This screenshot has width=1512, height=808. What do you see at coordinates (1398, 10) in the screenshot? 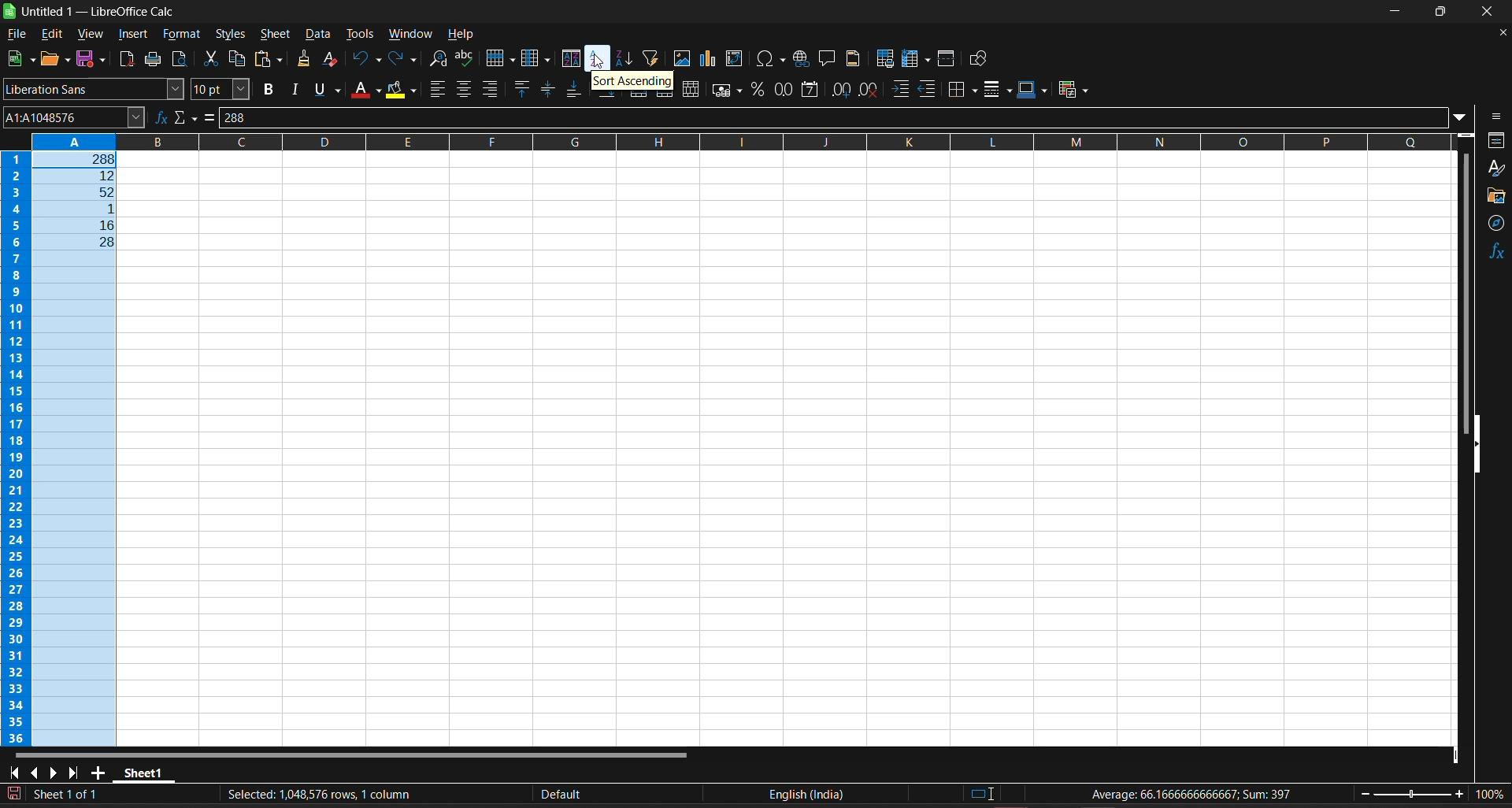
I see `minimize` at bounding box center [1398, 10].